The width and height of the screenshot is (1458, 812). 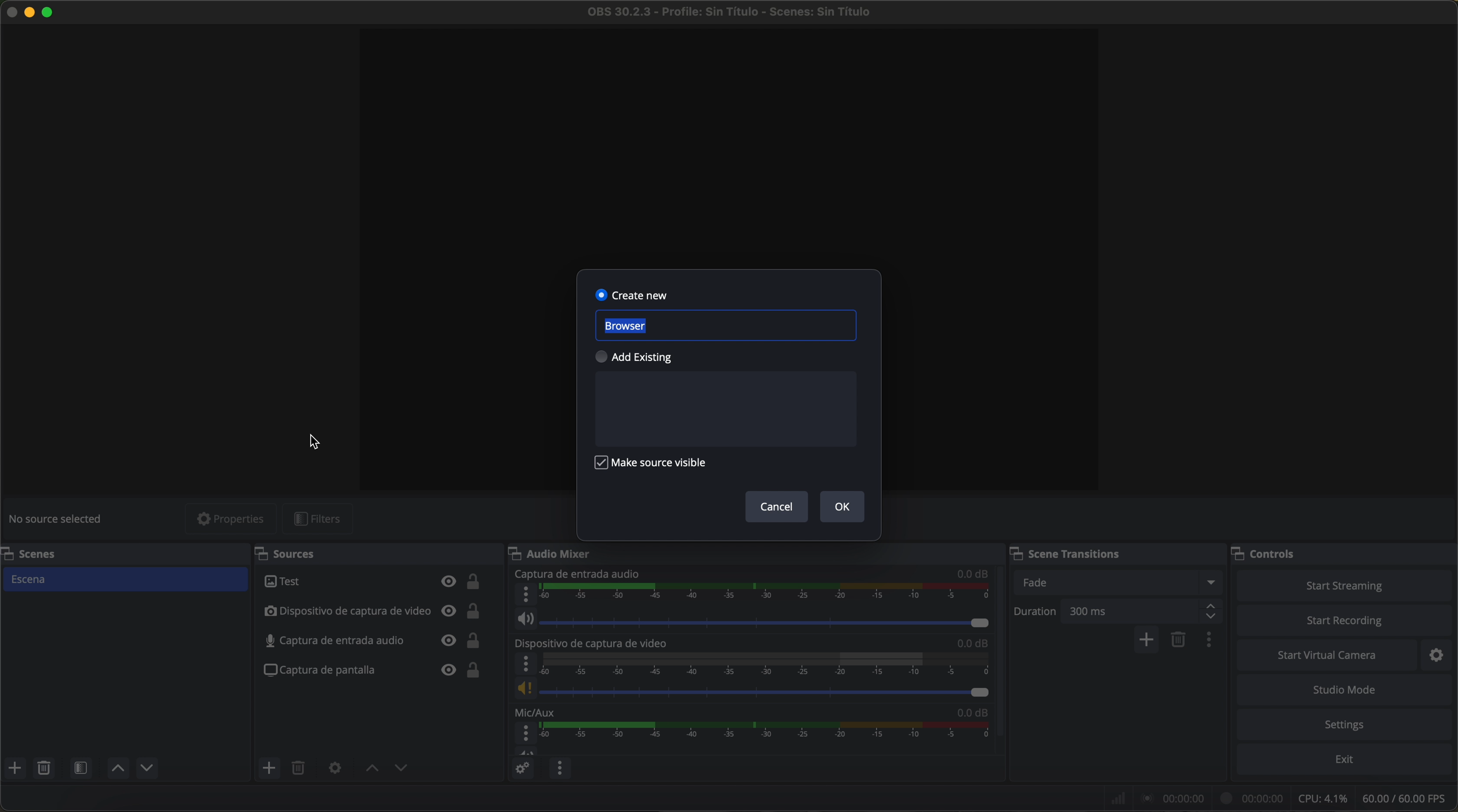 I want to click on OK button, so click(x=843, y=506).